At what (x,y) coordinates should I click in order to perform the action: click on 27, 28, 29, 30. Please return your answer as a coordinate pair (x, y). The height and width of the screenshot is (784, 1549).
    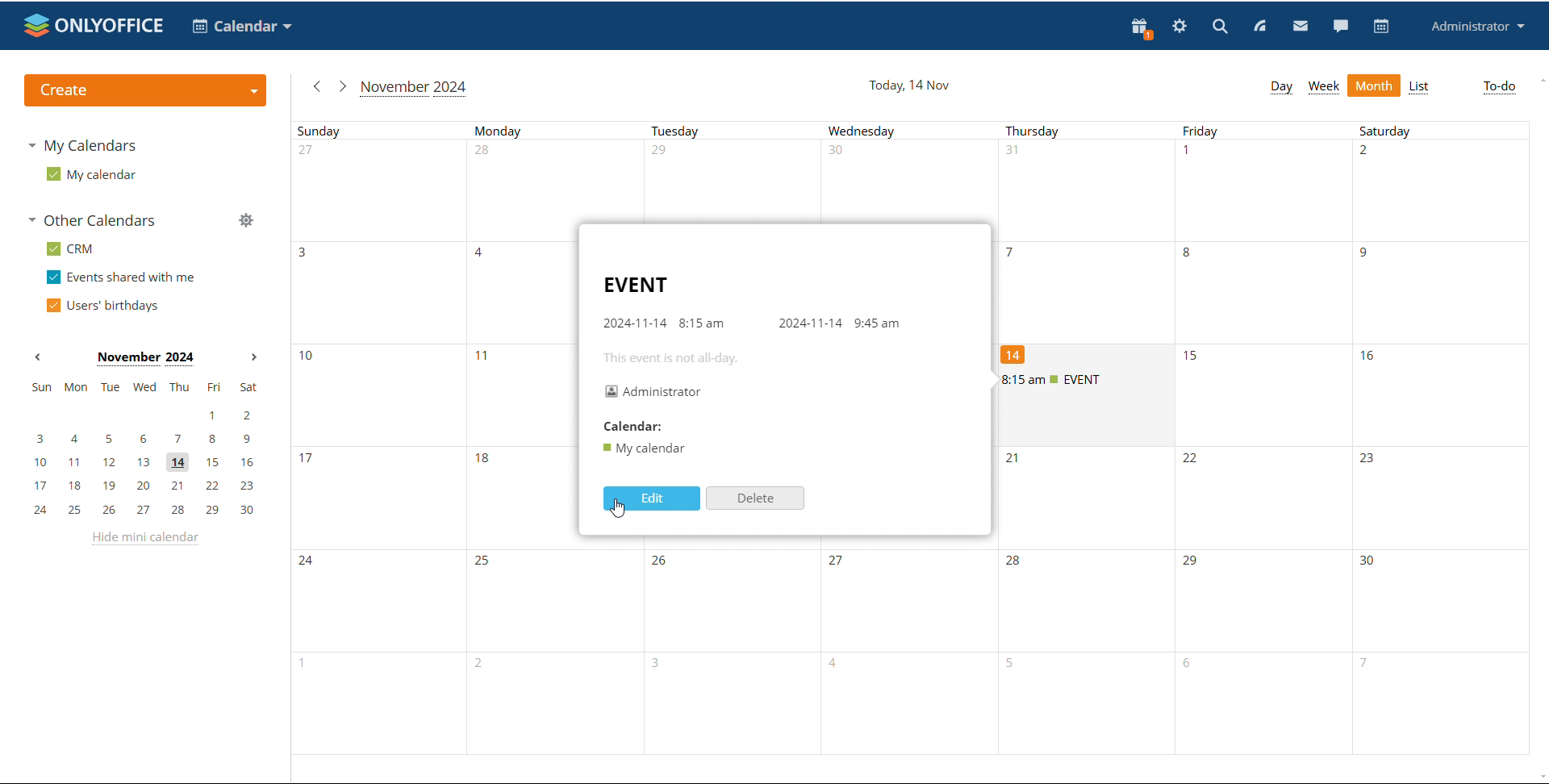
    Looking at the image, I should click on (645, 181).